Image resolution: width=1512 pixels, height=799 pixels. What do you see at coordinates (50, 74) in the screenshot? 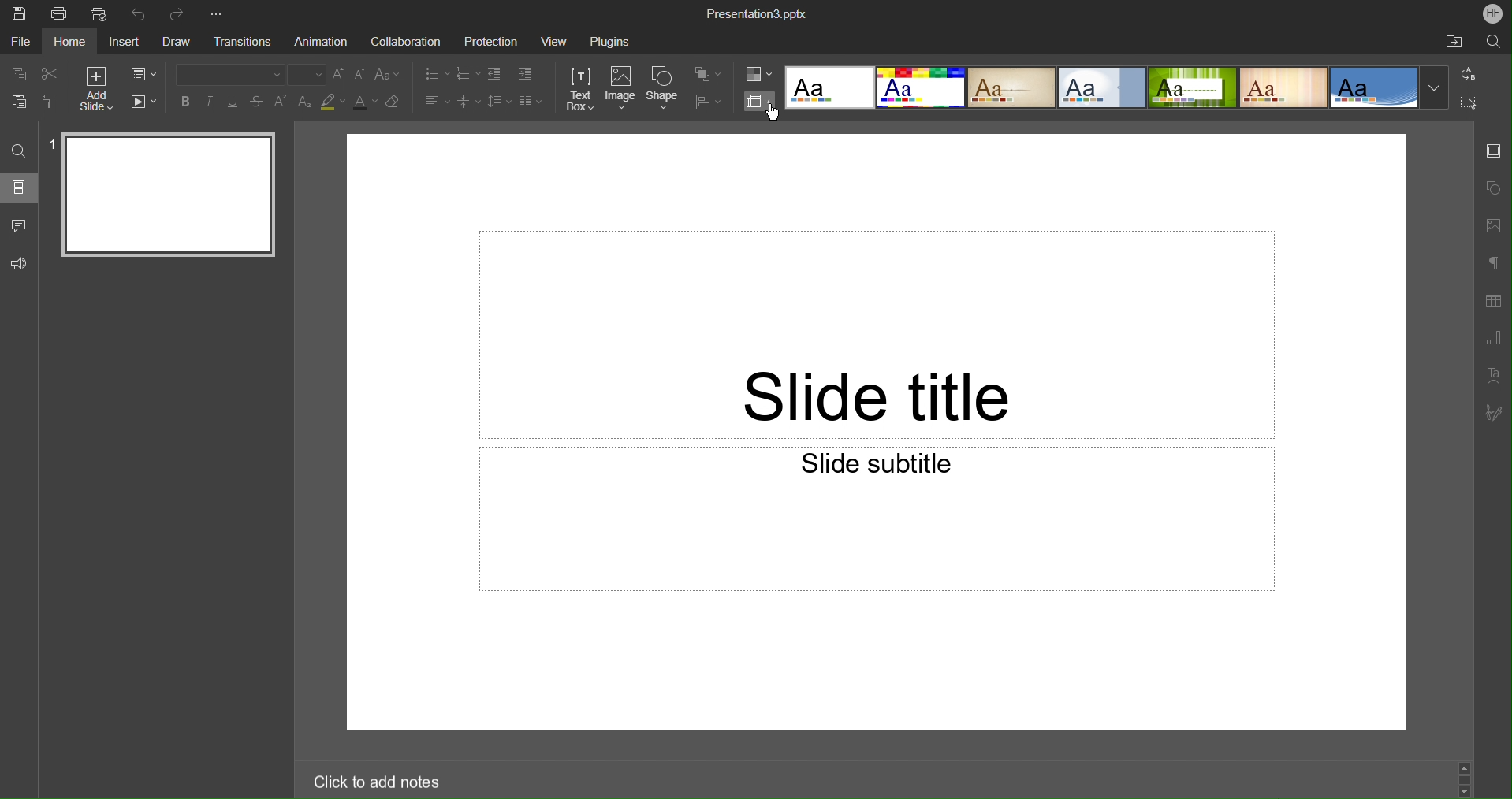
I see `Cut` at bounding box center [50, 74].